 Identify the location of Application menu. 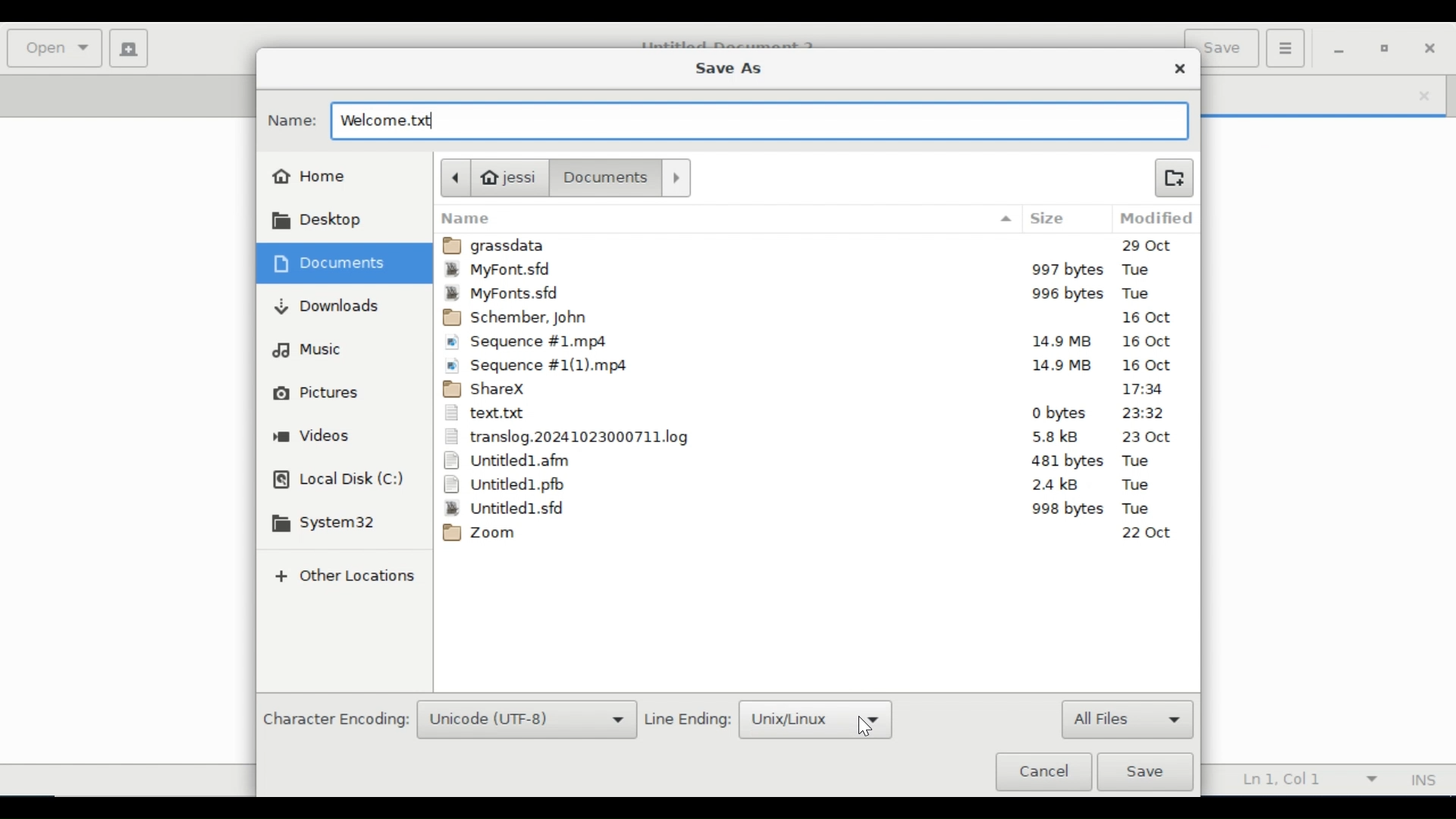
(1285, 47).